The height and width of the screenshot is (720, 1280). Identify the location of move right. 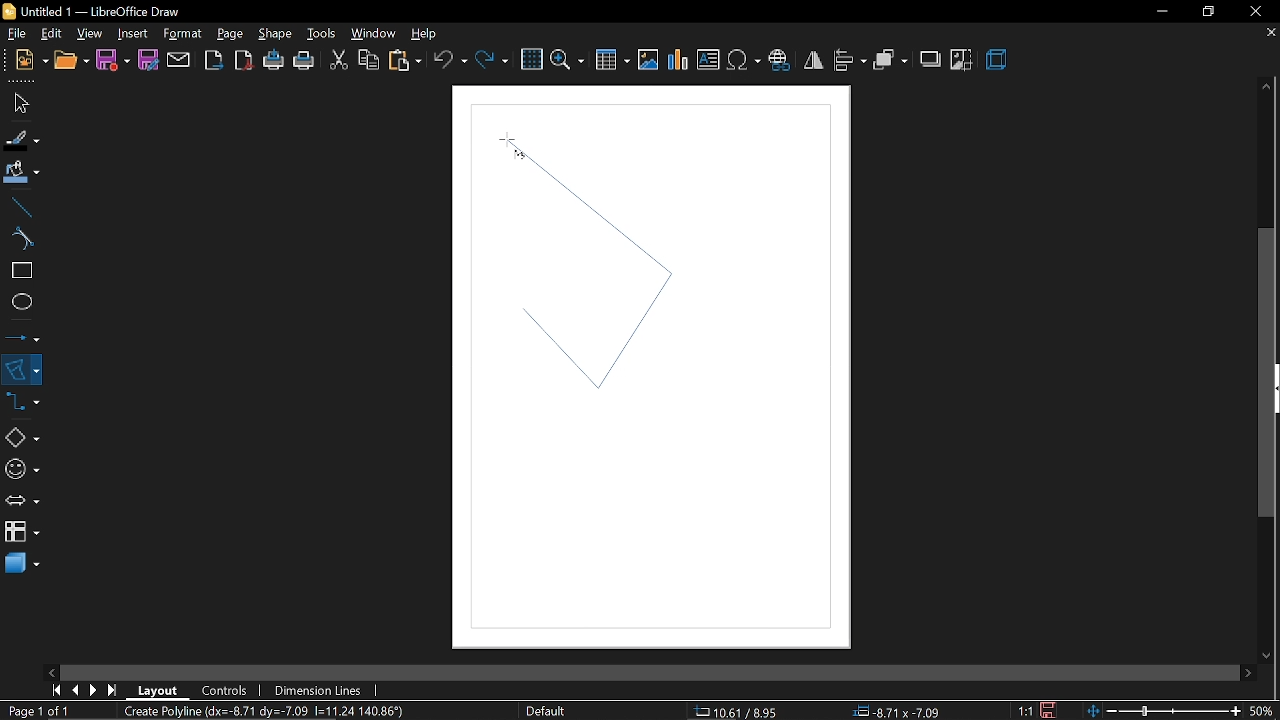
(1245, 670).